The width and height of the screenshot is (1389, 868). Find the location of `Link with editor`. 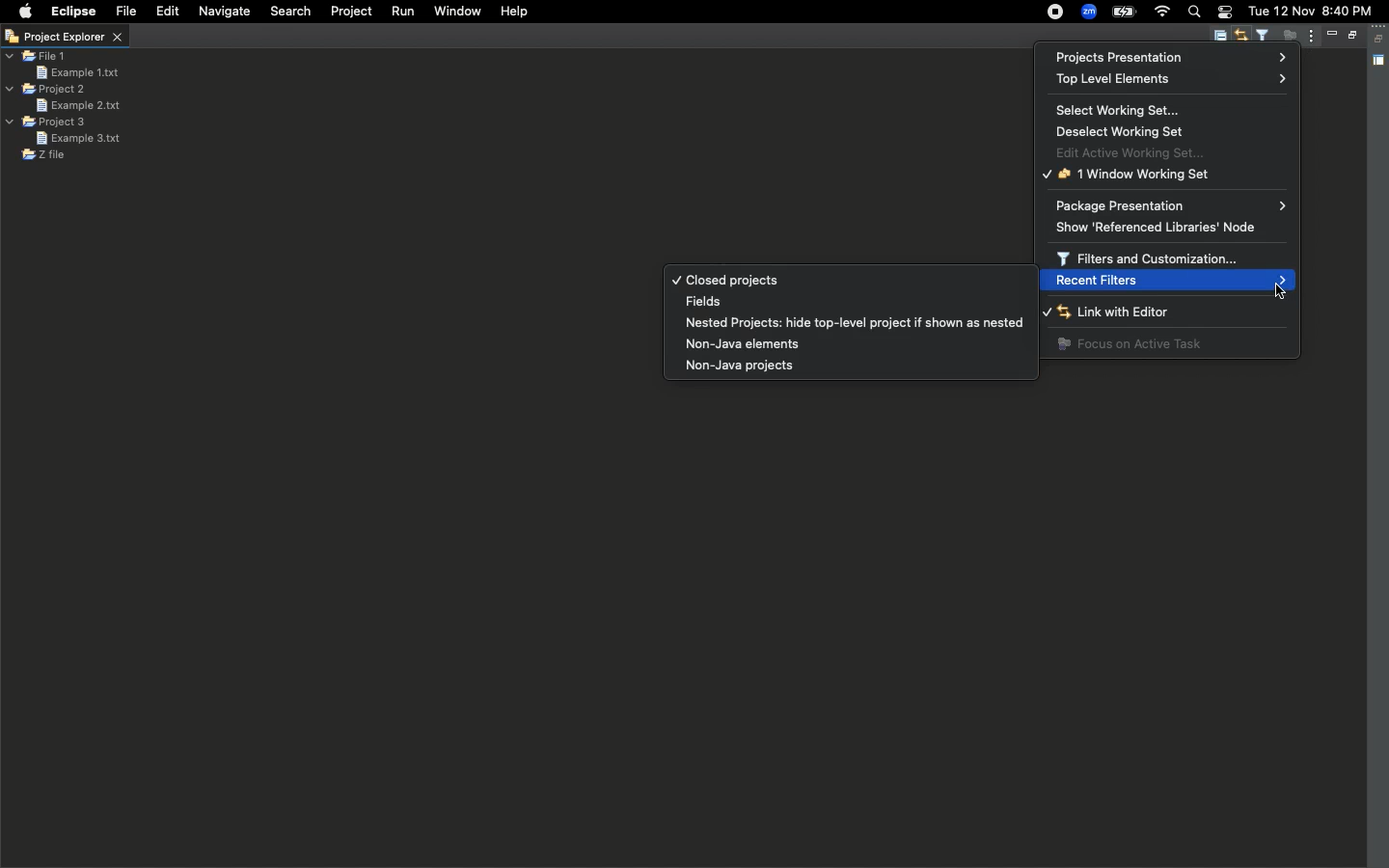

Link with editor is located at coordinates (1243, 37).